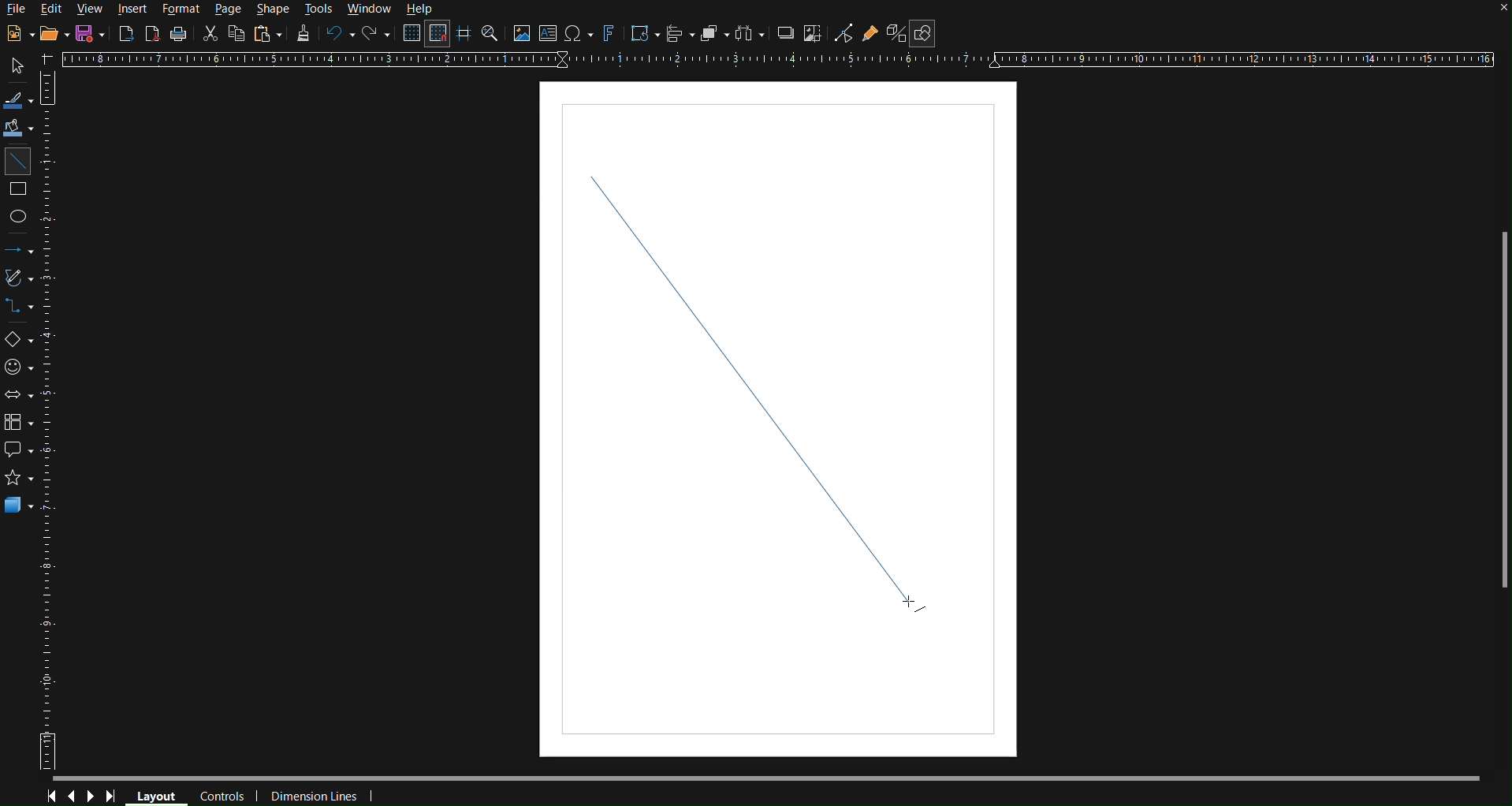 Image resolution: width=1512 pixels, height=806 pixels. What do you see at coordinates (133, 9) in the screenshot?
I see `Insert` at bounding box center [133, 9].